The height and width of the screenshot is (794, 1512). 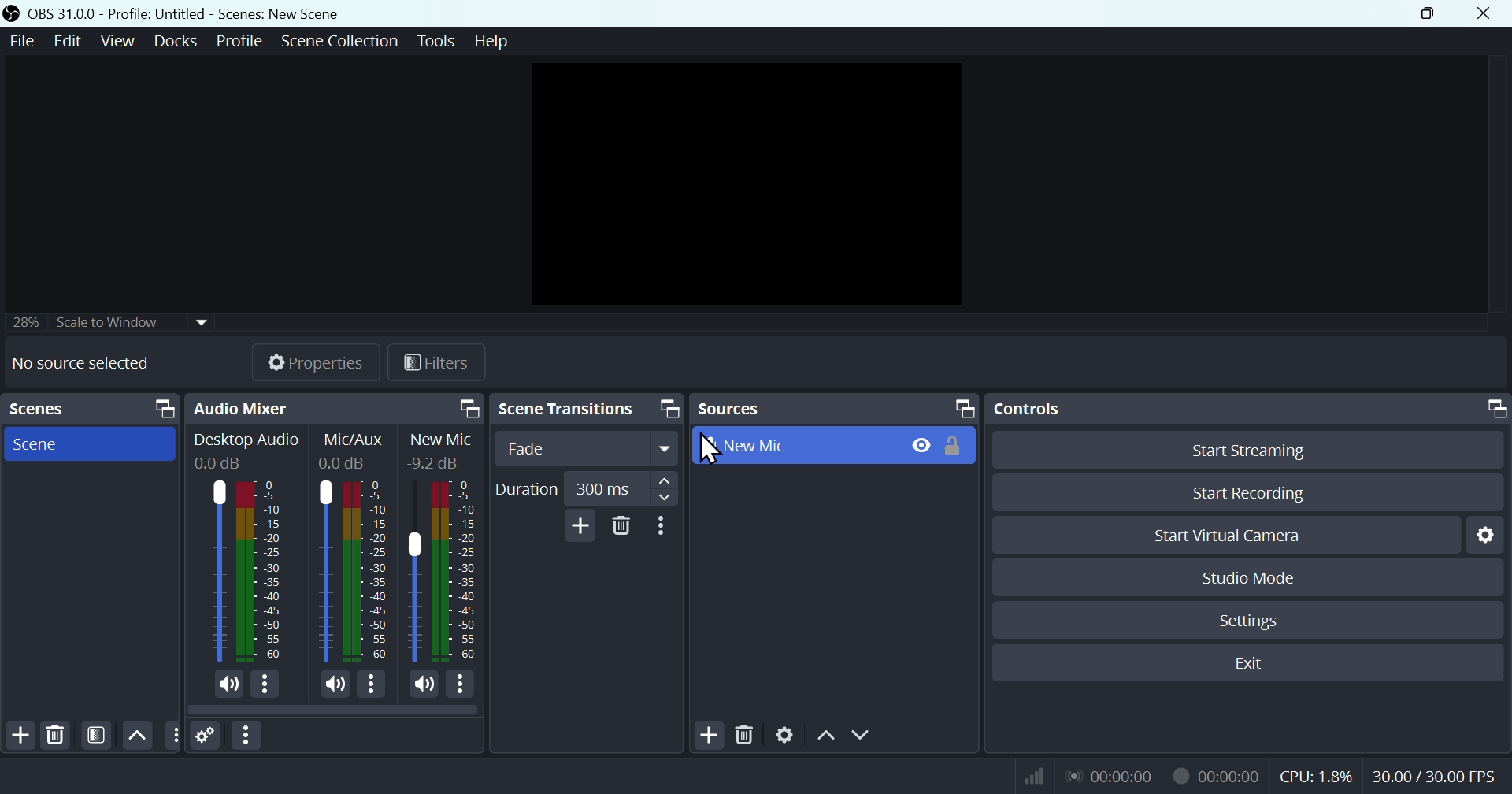 What do you see at coordinates (1432, 16) in the screenshot?
I see `Maximise` at bounding box center [1432, 16].